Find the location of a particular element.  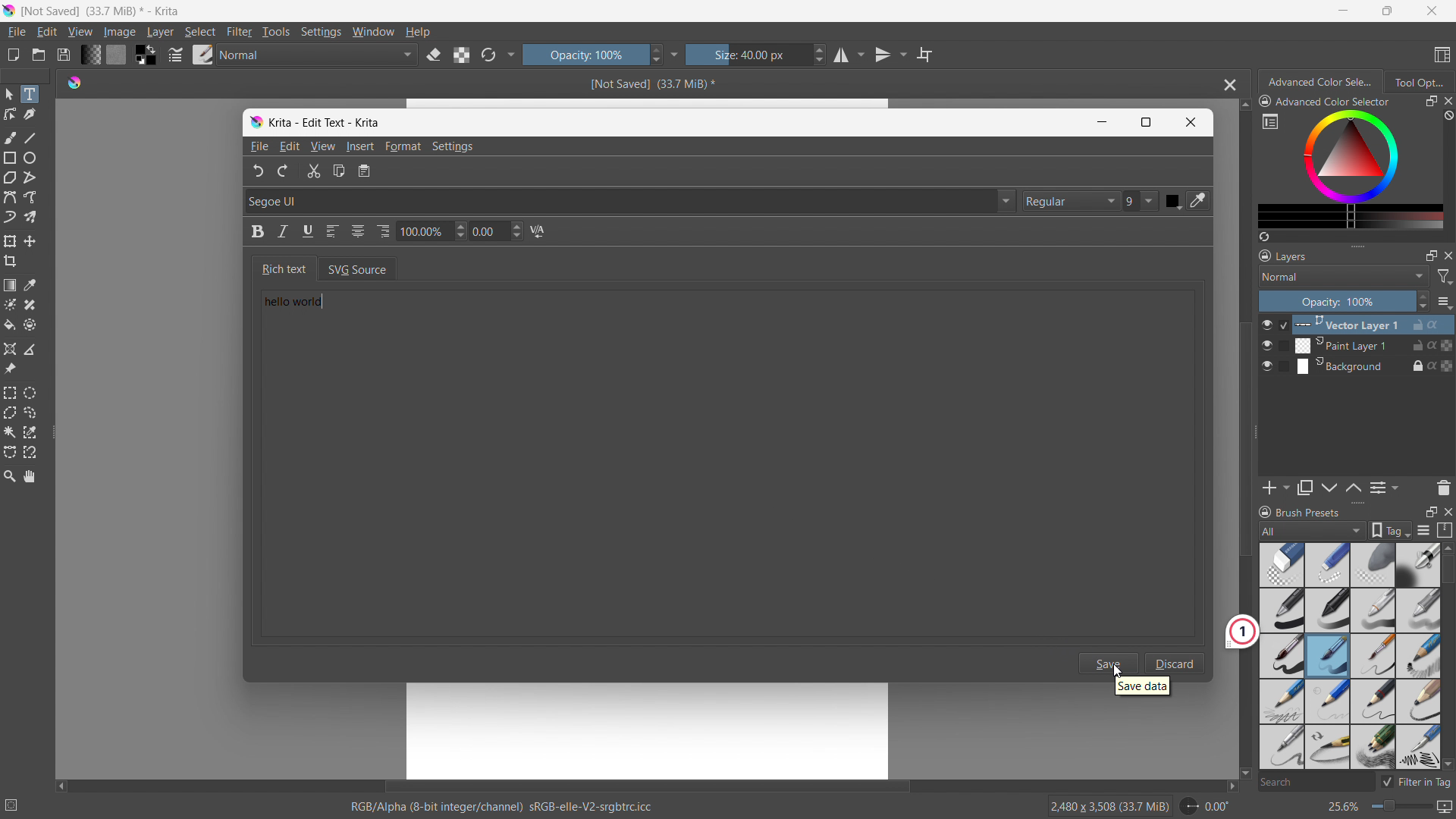

elliptical selection tool is located at coordinates (30, 393).